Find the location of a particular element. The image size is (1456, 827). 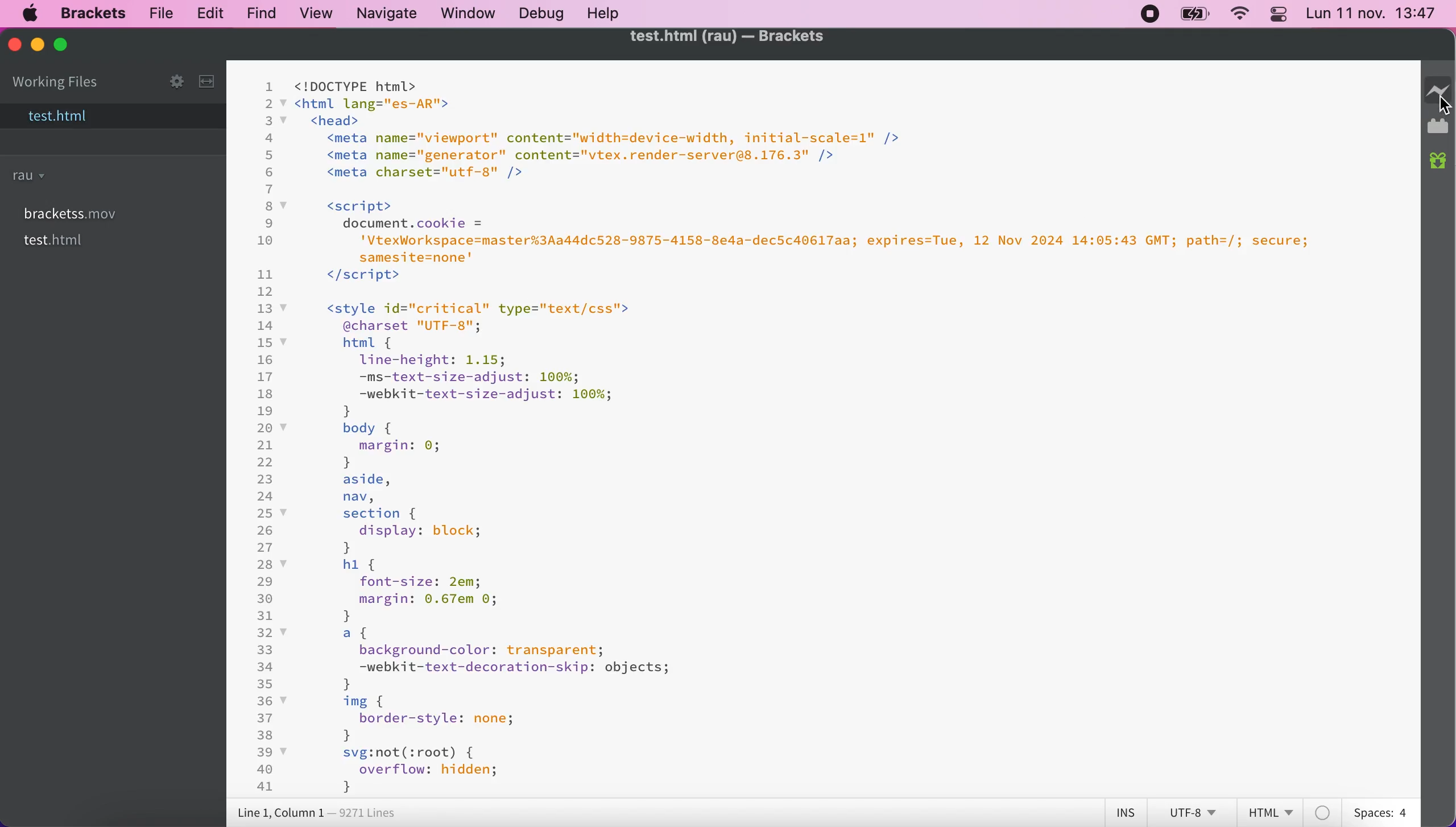

expand is located at coordinates (210, 78).